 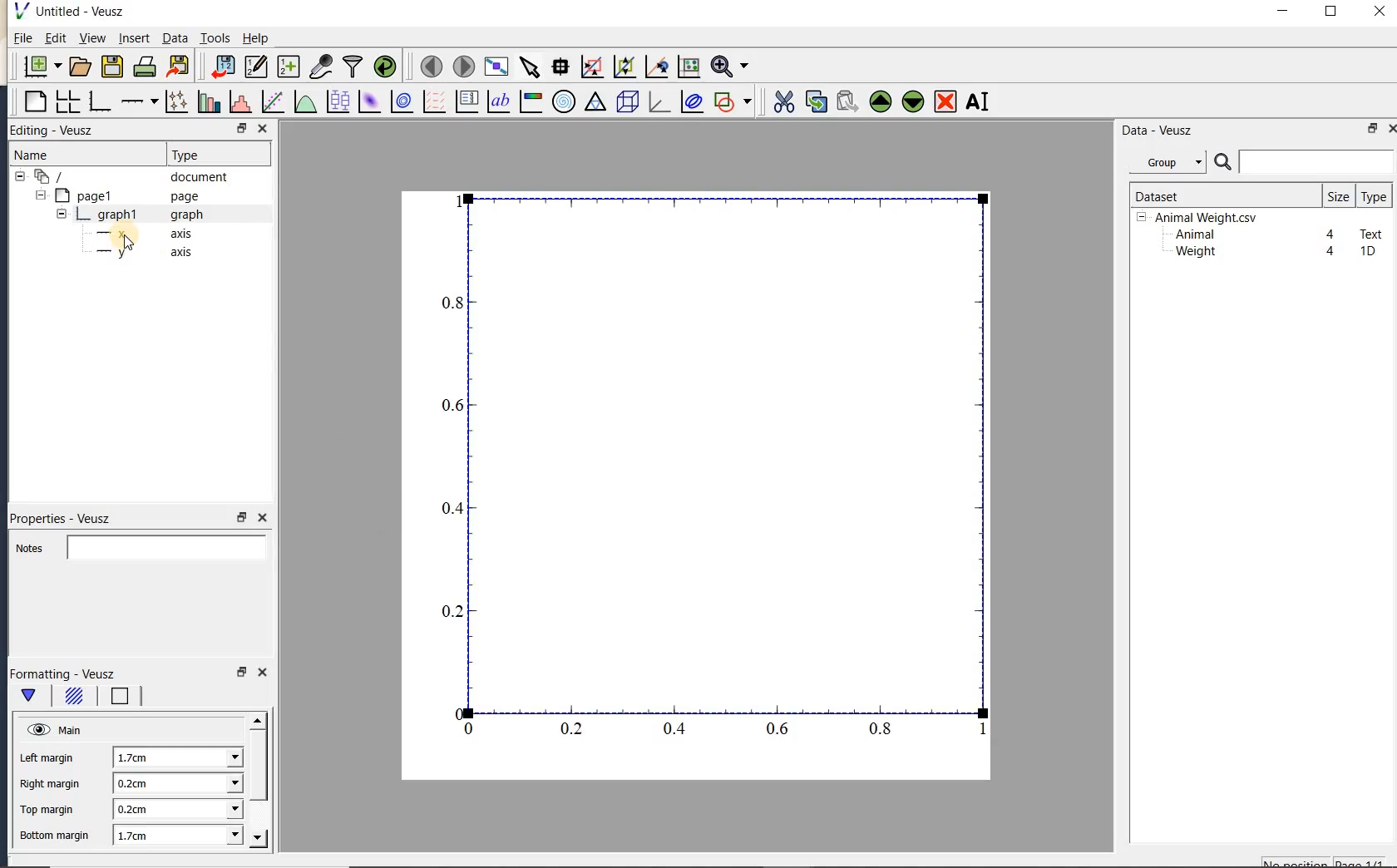 What do you see at coordinates (178, 101) in the screenshot?
I see `plot points with lines and errorbars` at bounding box center [178, 101].